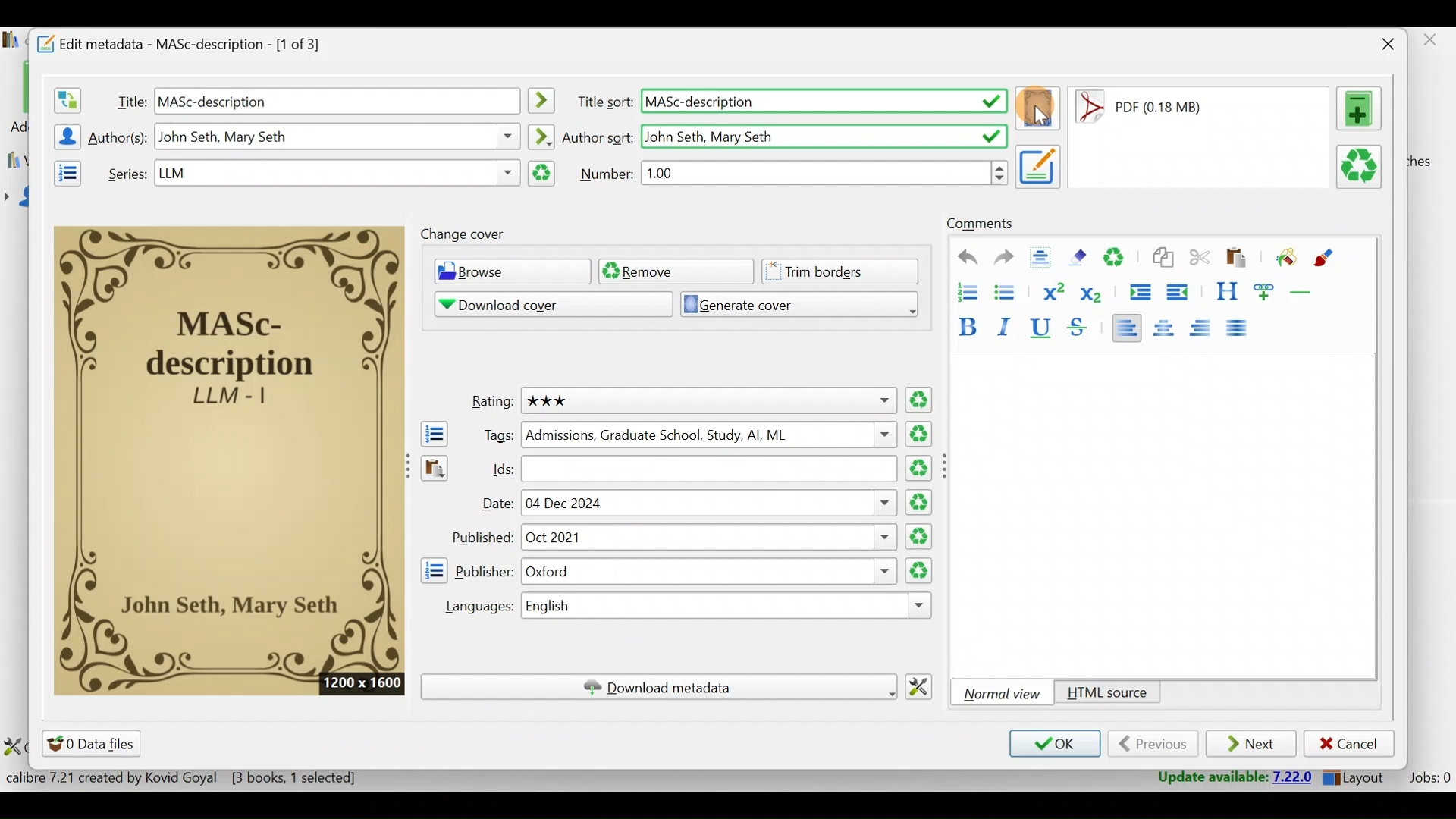 The width and height of the screenshot is (1456, 819). Describe the element at coordinates (433, 570) in the screenshot. I see `Open the manage publishers editor` at that location.